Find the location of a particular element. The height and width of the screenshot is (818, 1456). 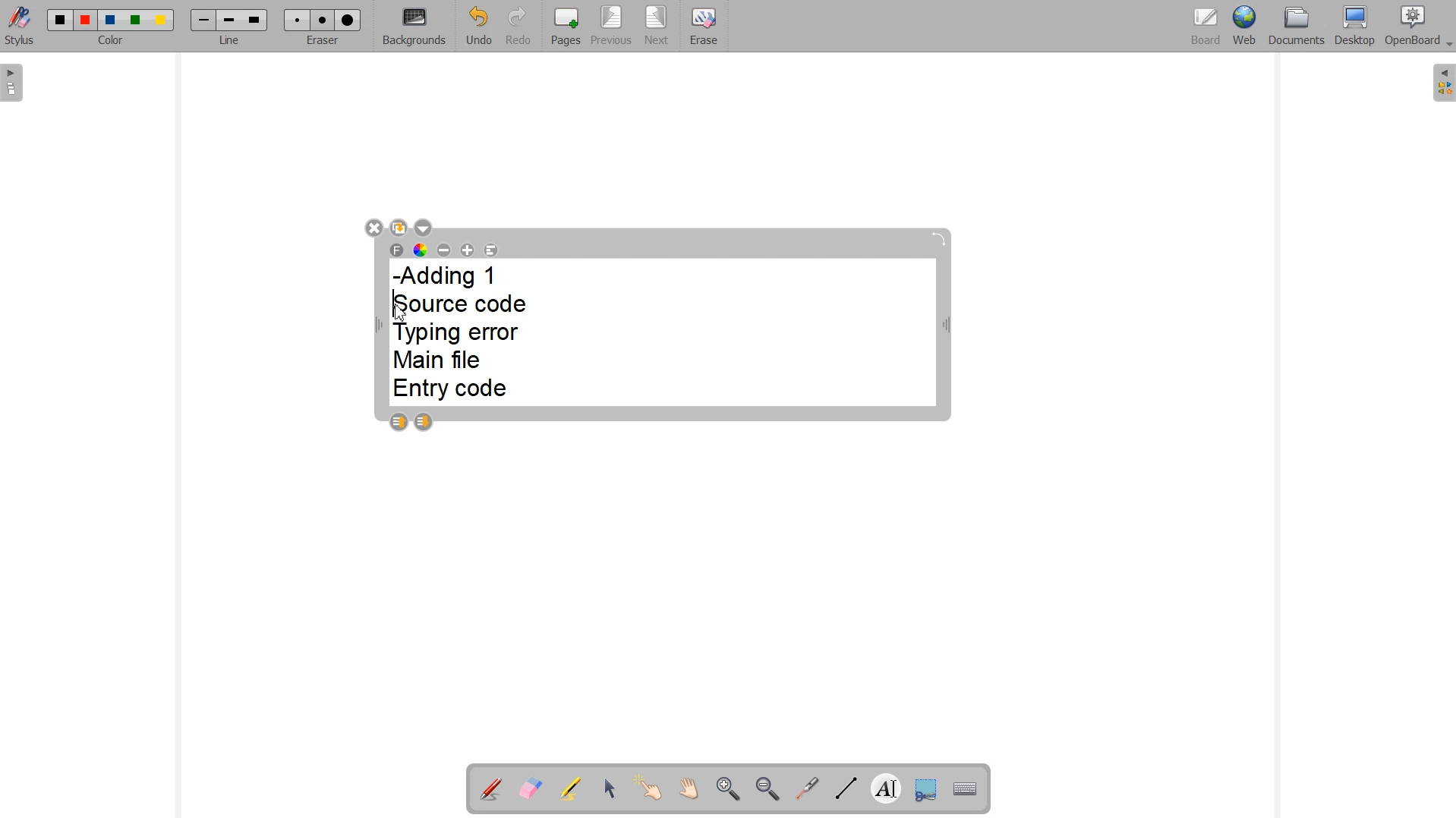

Annotation document is located at coordinates (490, 787).